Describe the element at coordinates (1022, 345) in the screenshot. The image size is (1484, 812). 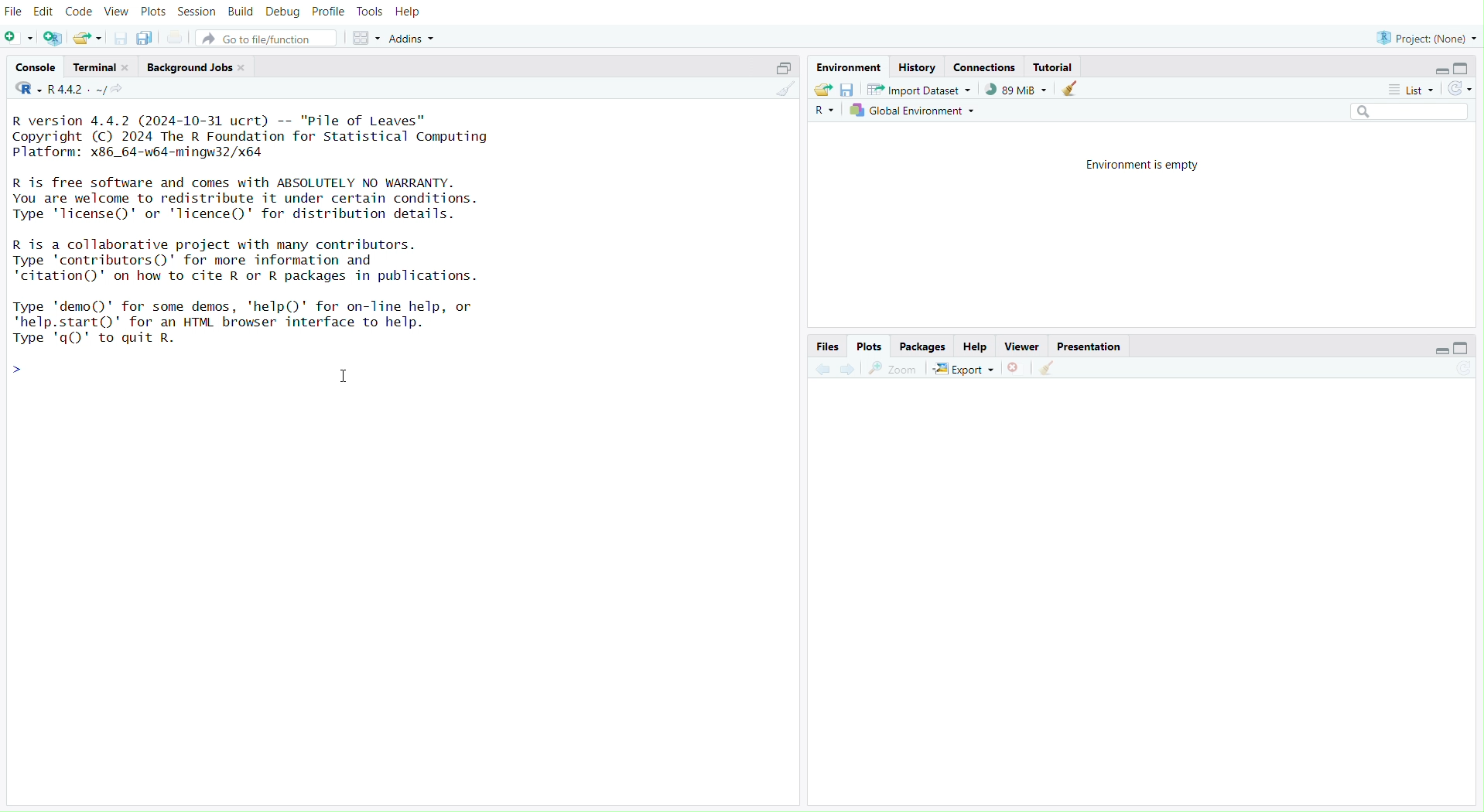
I see `Viewer` at that location.